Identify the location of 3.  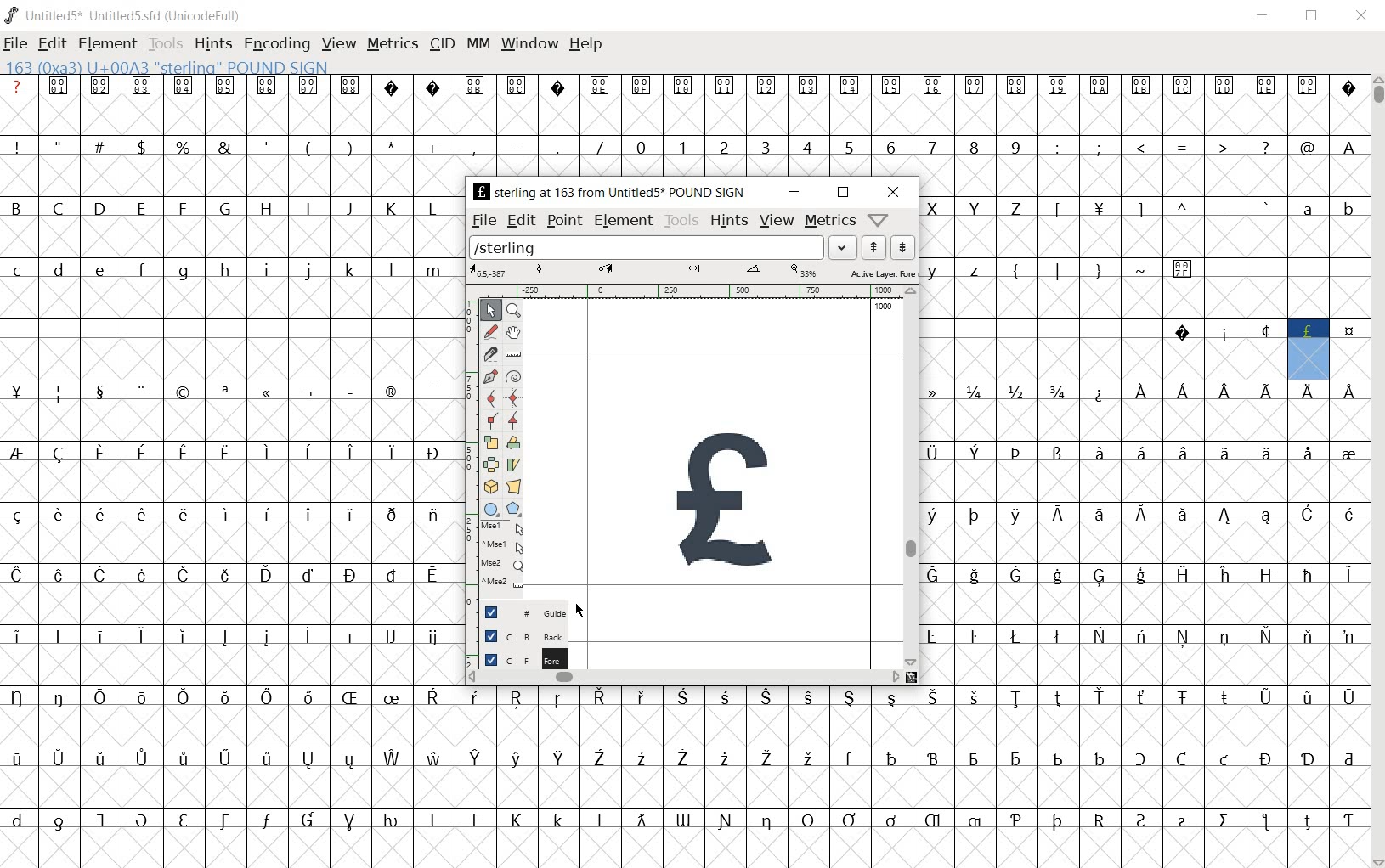
(765, 146).